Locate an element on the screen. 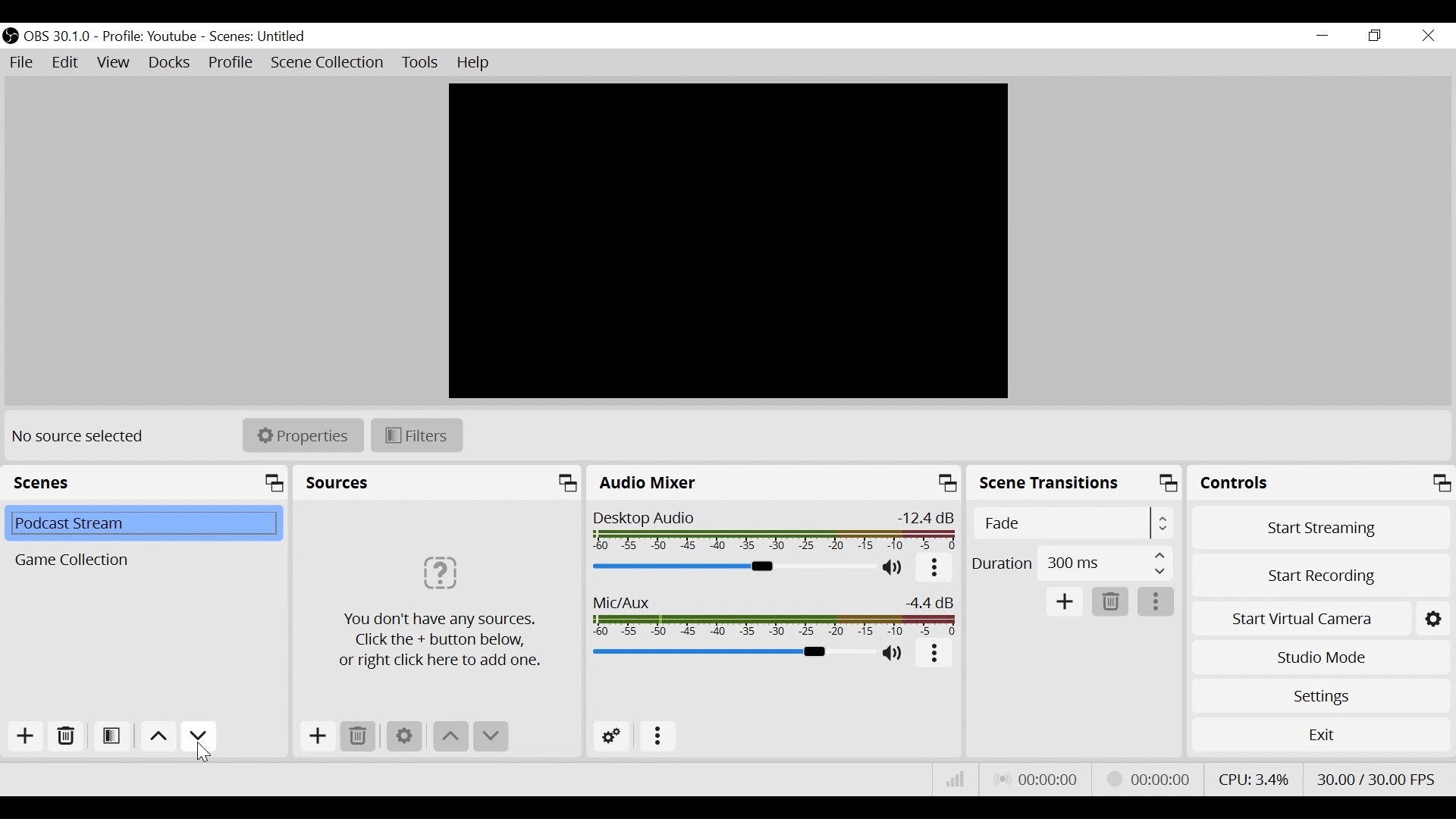 Image resolution: width=1456 pixels, height=819 pixels. (un)select Duration is located at coordinates (1072, 563).